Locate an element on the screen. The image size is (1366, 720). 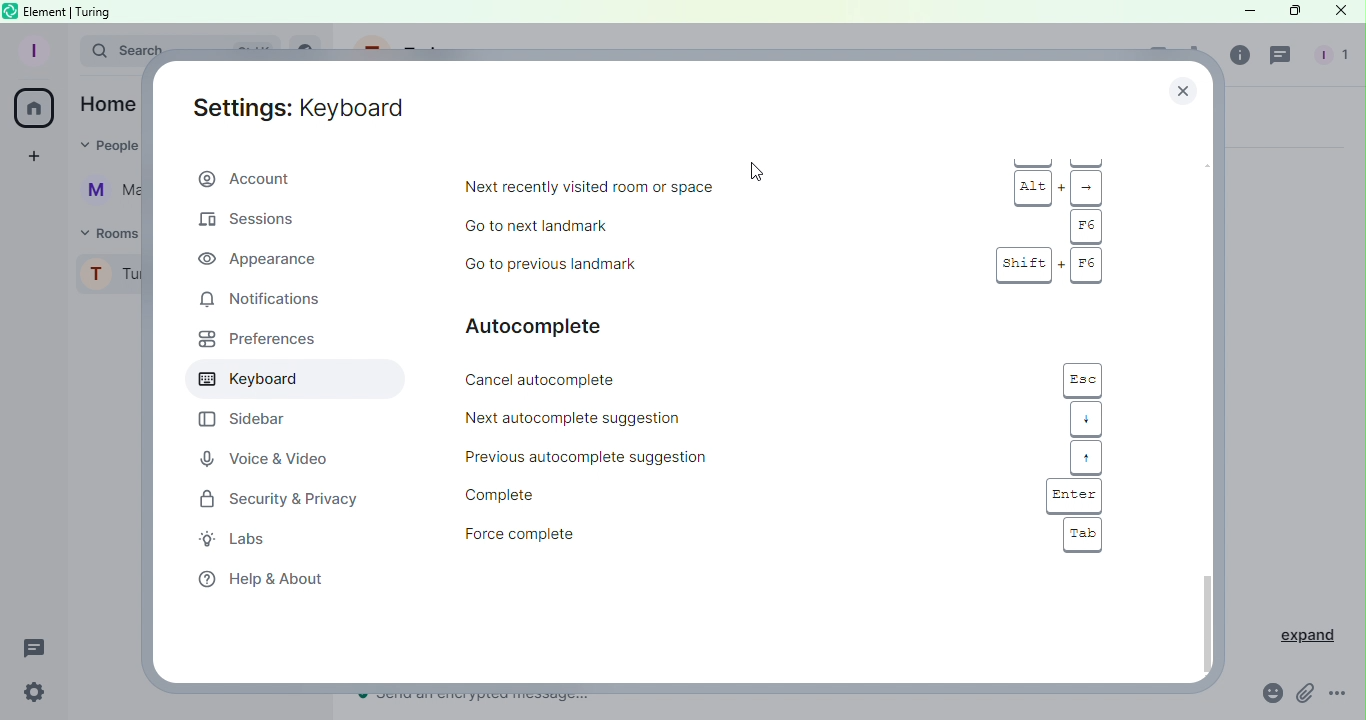
Search bar is located at coordinates (117, 48).